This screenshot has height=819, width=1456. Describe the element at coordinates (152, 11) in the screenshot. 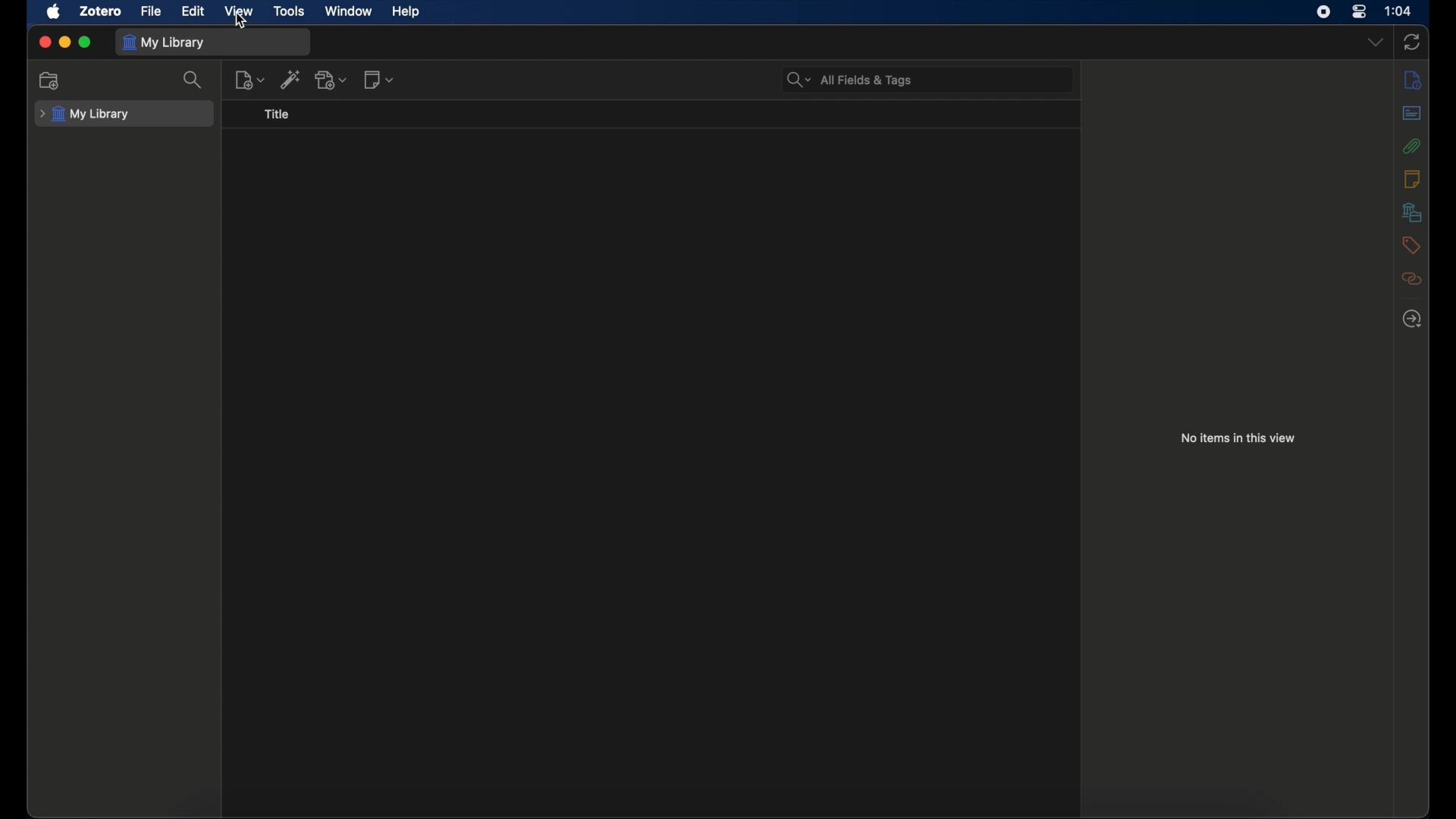

I see `file` at that location.